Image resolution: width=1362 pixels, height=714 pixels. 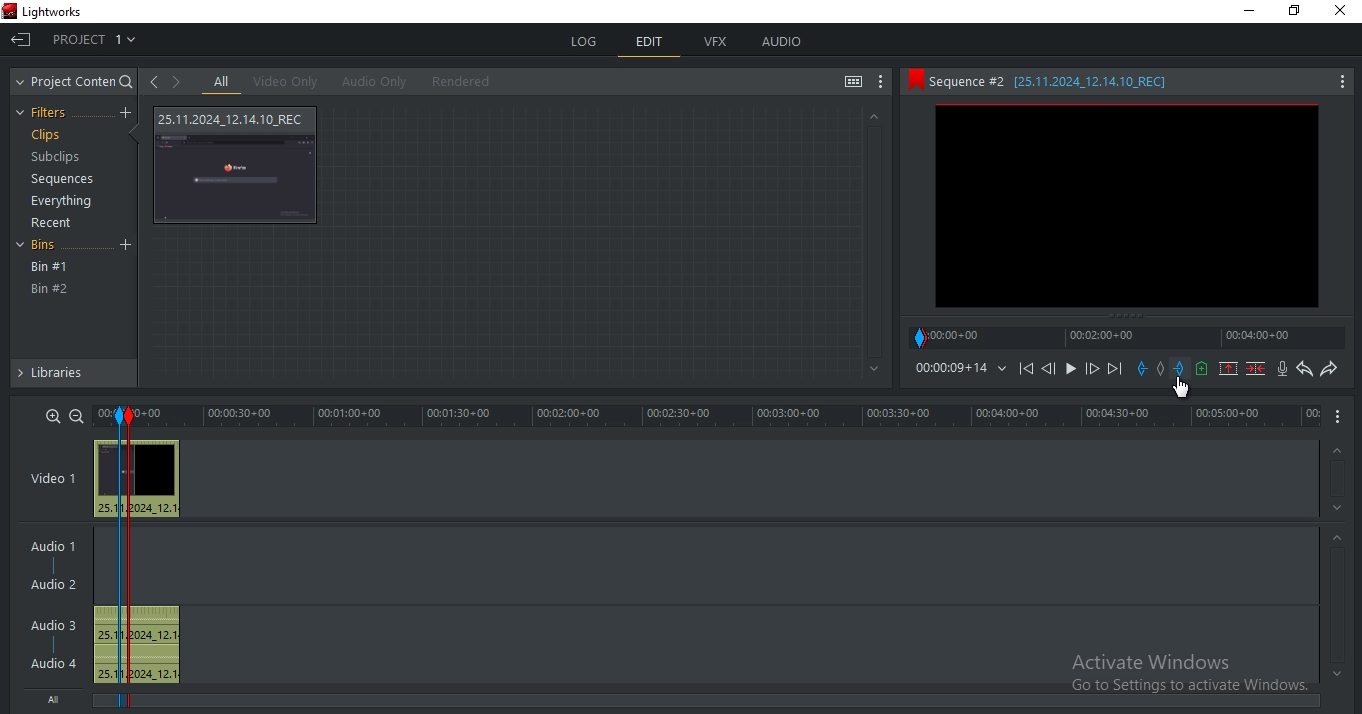 I want to click on More Options, so click(x=1342, y=417).